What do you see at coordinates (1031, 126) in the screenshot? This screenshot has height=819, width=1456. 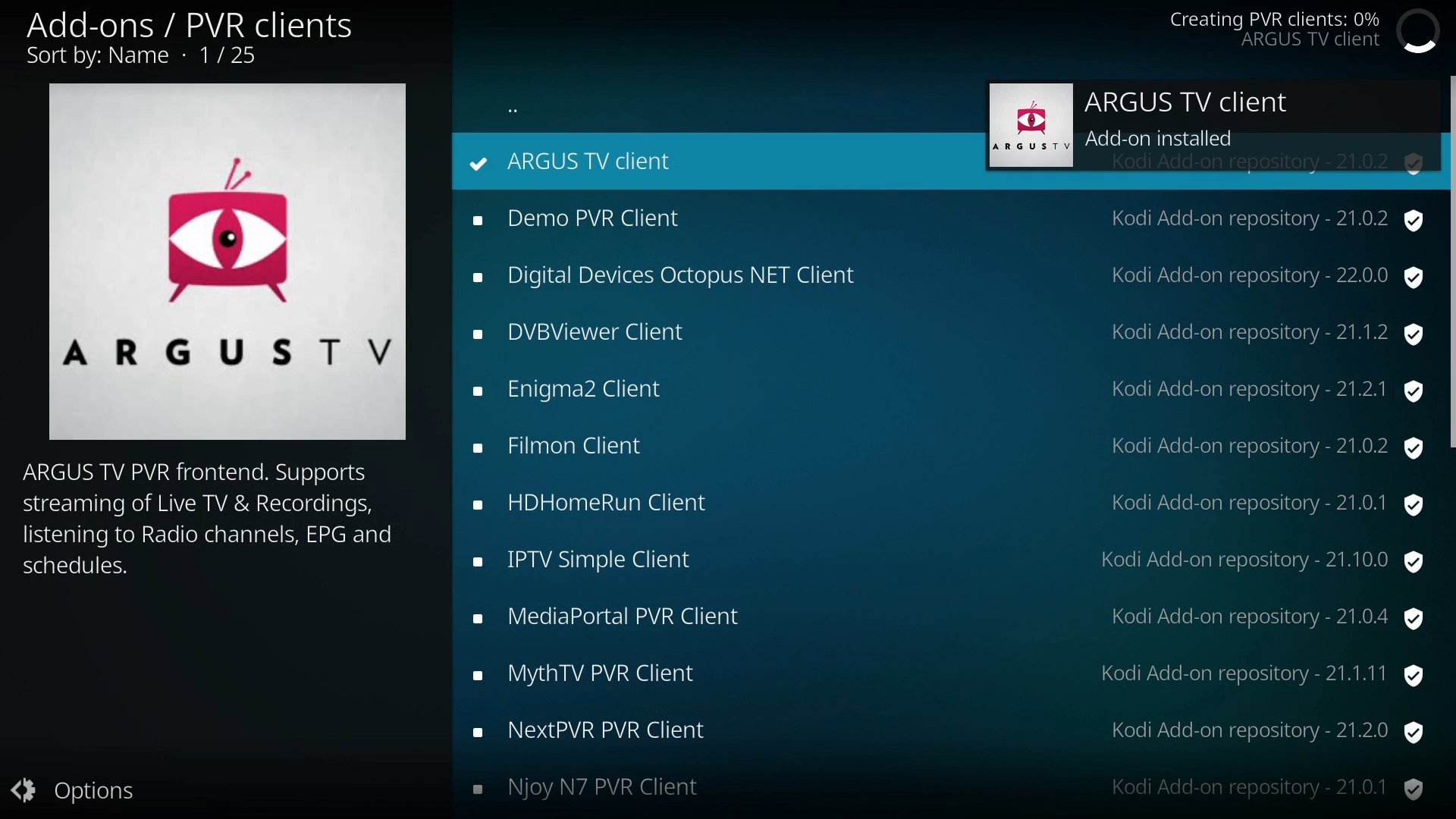 I see `ARGUSTYV` at bounding box center [1031, 126].